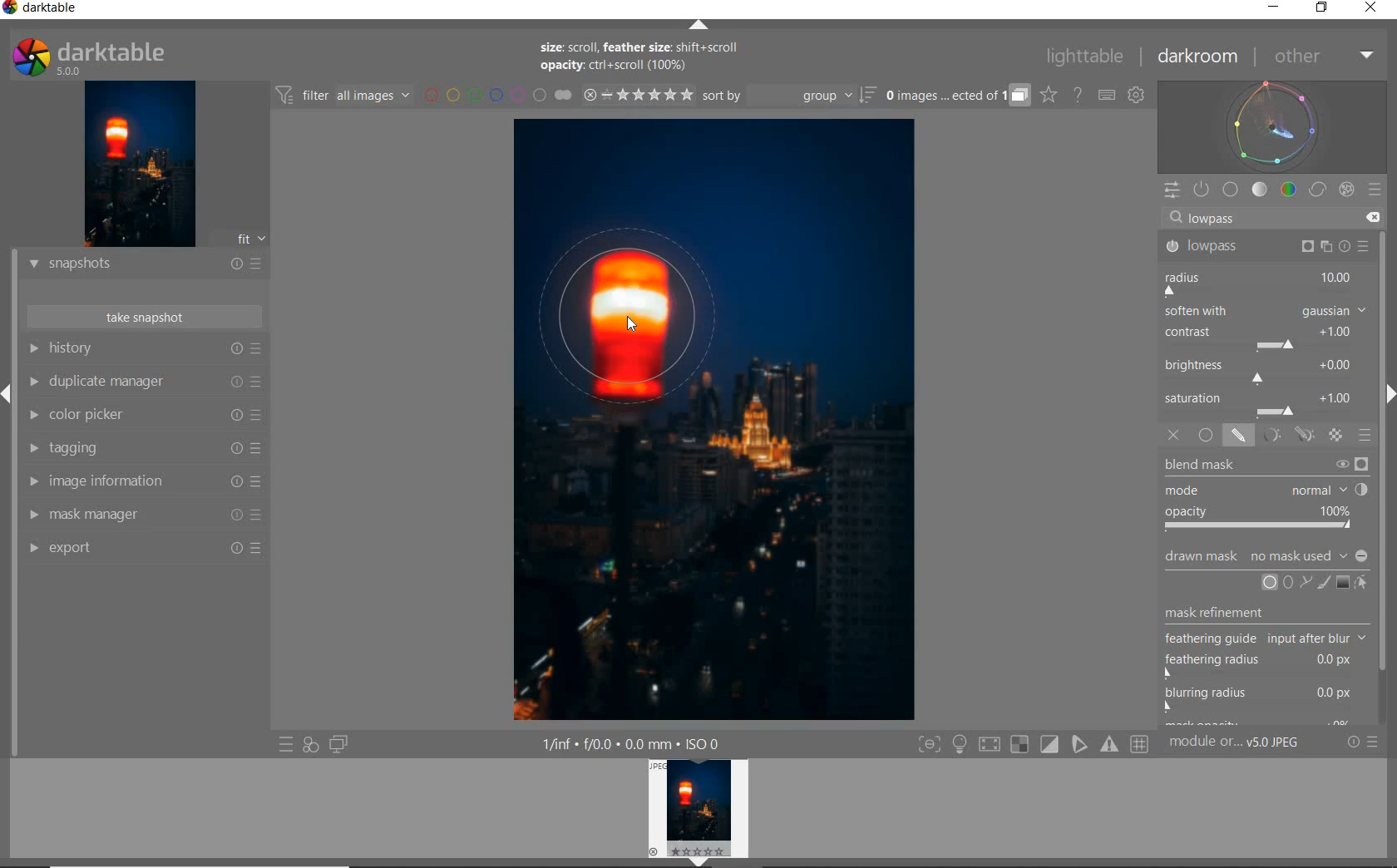 This screenshot has height=868, width=1397. What do you see at coordinates (1284, 581) in the screenshot?
I see `ADD CIRCLE, ELLIPSE OR PATH` at bounding box center [1284, 581].